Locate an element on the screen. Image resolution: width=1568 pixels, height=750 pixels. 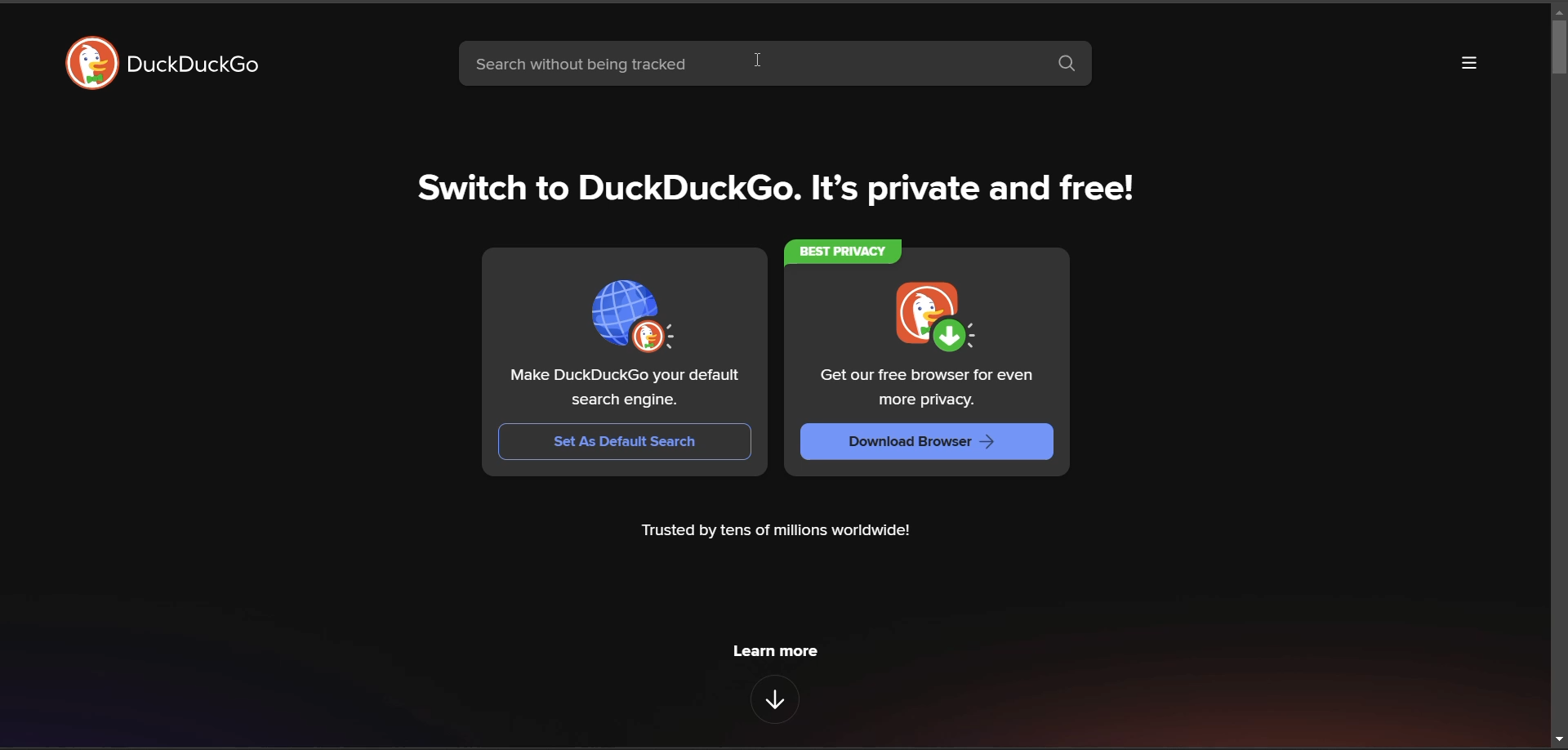
downloader image is located at coordinates (931, 314).